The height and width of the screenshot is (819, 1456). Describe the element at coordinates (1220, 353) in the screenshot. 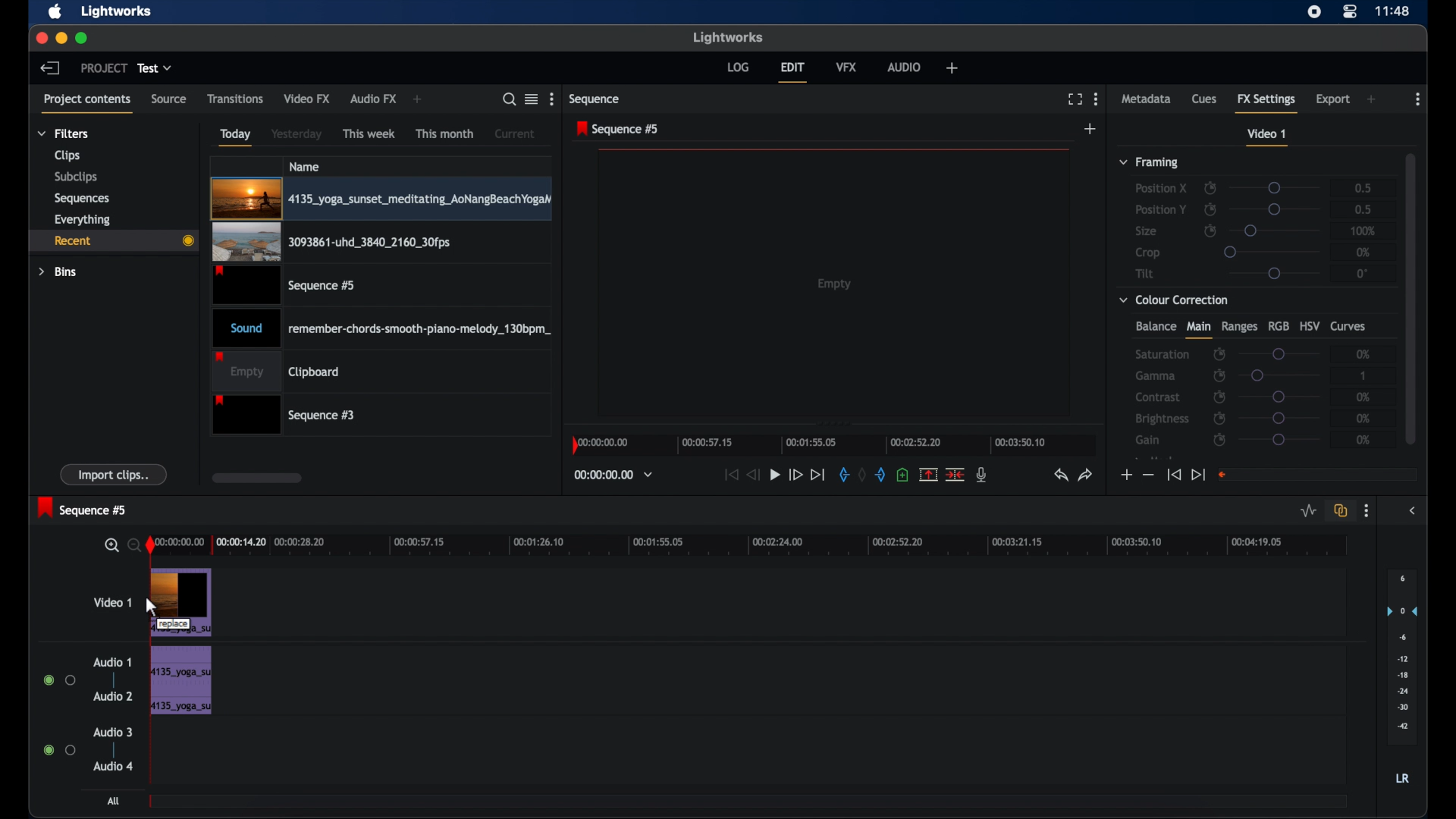

I see `enable/disbale keyframes` at that location.